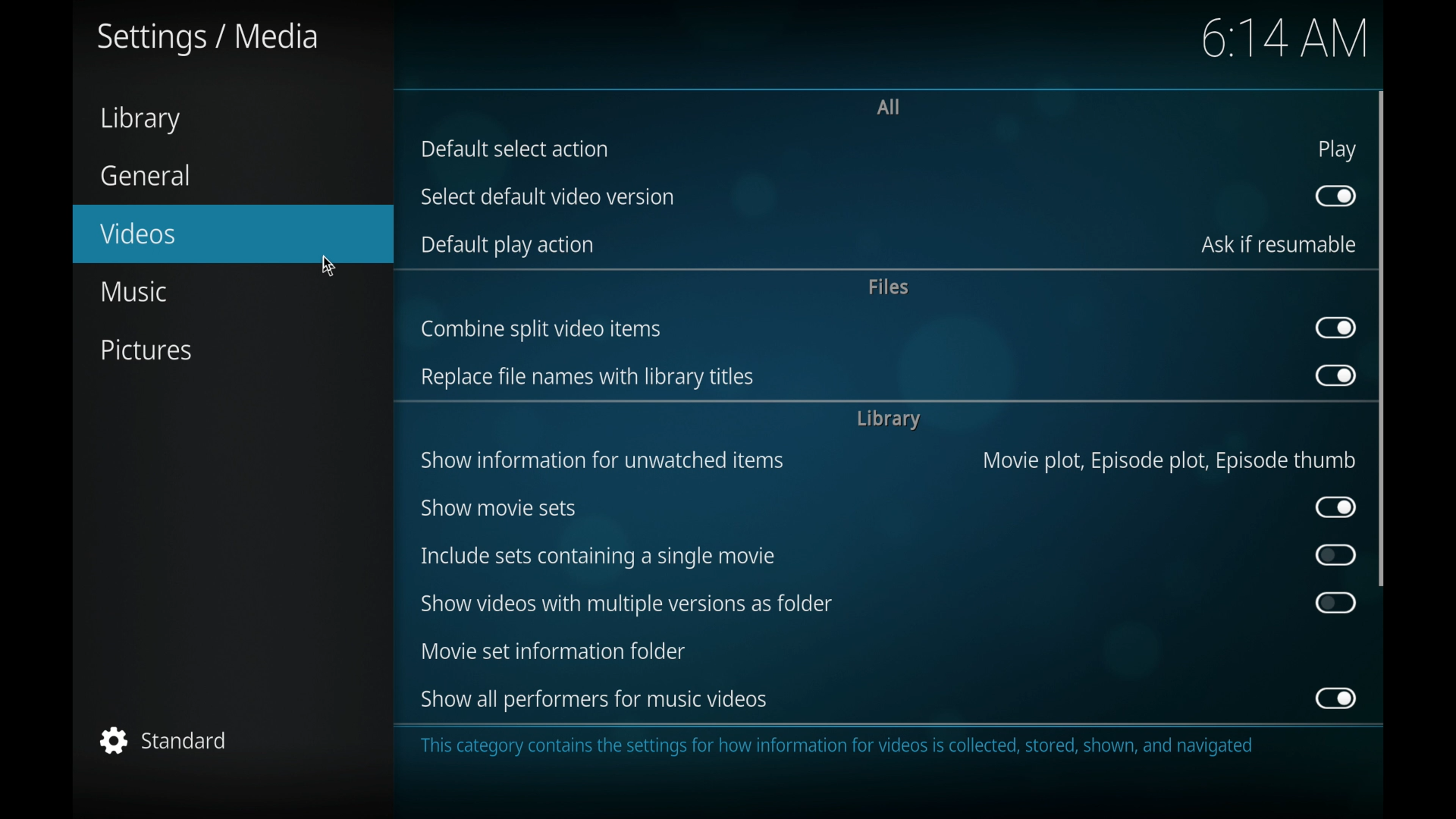 This screenshot has width=1456, height=819. What do you see at coordinates (1279, 245) in the screenshot?
I see `ask if resumable` at bounding box center [1279, 245].